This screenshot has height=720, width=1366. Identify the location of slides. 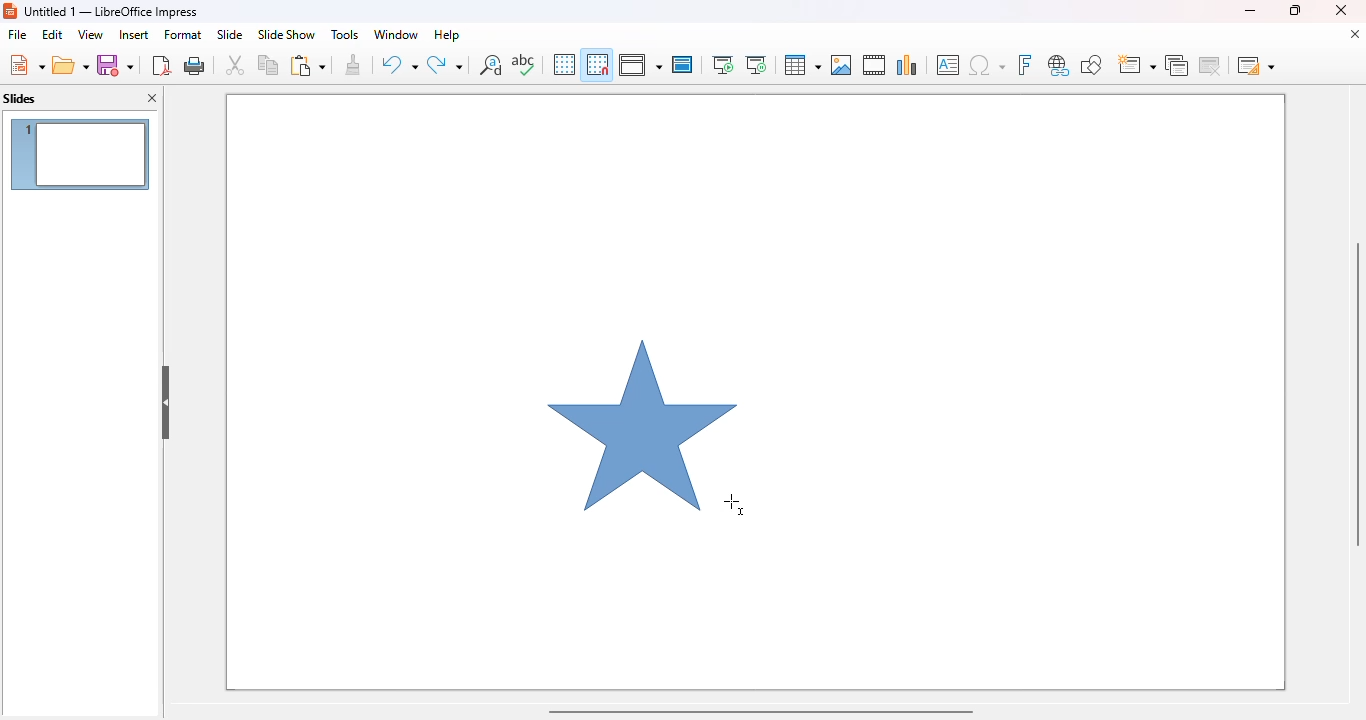
(20, 99).